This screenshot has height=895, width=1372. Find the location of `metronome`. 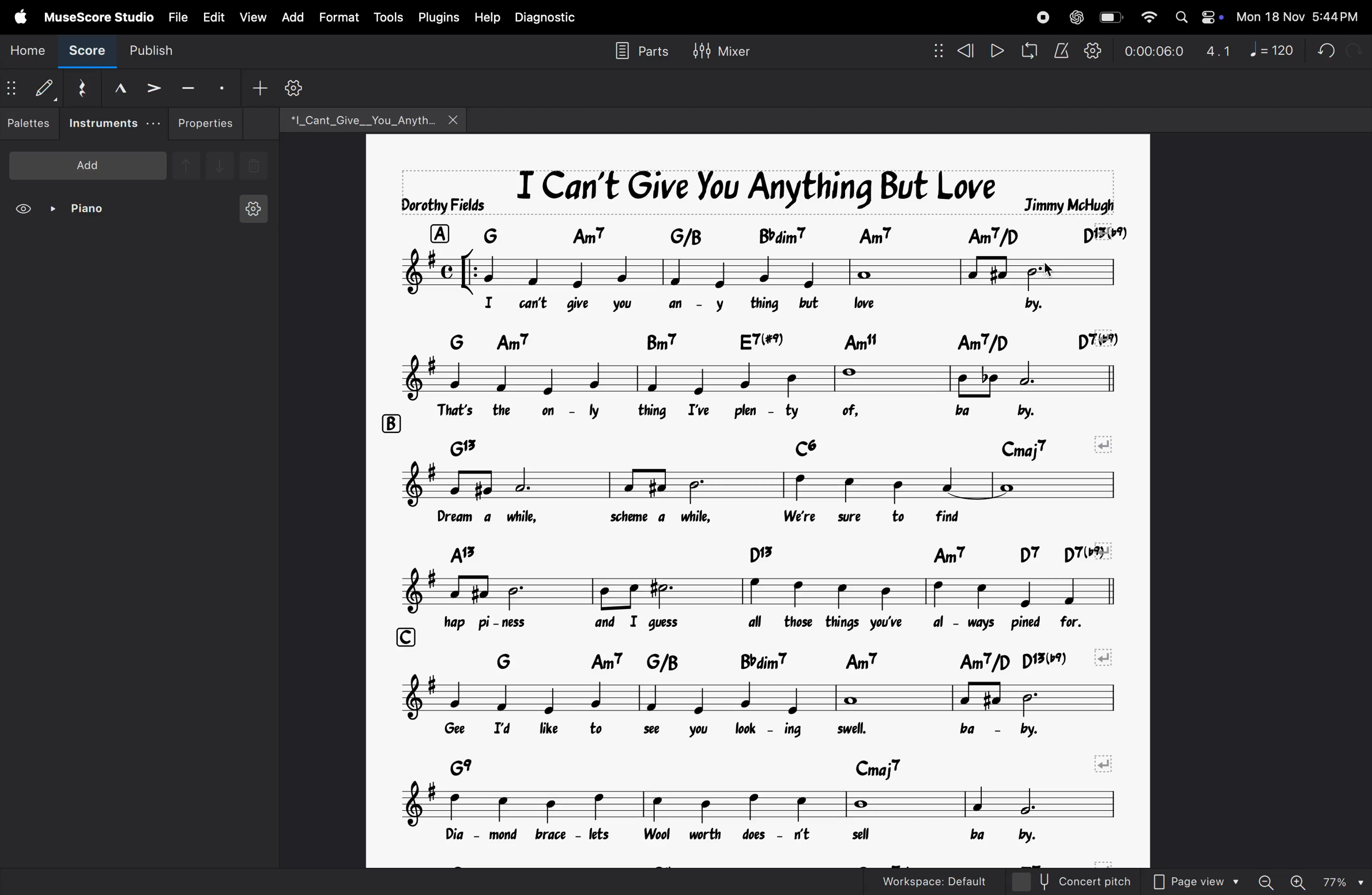

metronome is located at coordinates (1061, 50).